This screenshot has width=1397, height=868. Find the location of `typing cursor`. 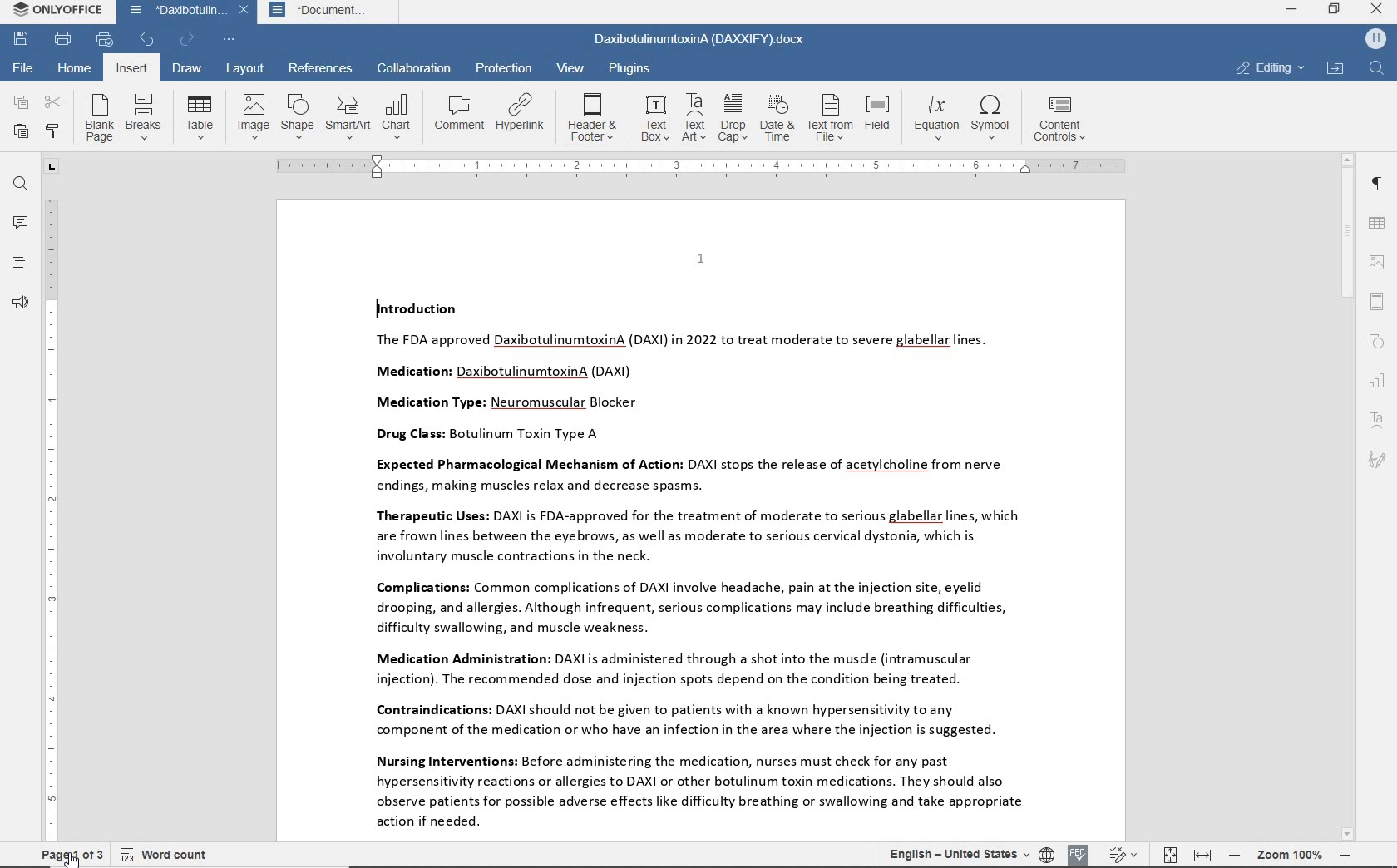

typing cursor is located at coordinates (376, 308).